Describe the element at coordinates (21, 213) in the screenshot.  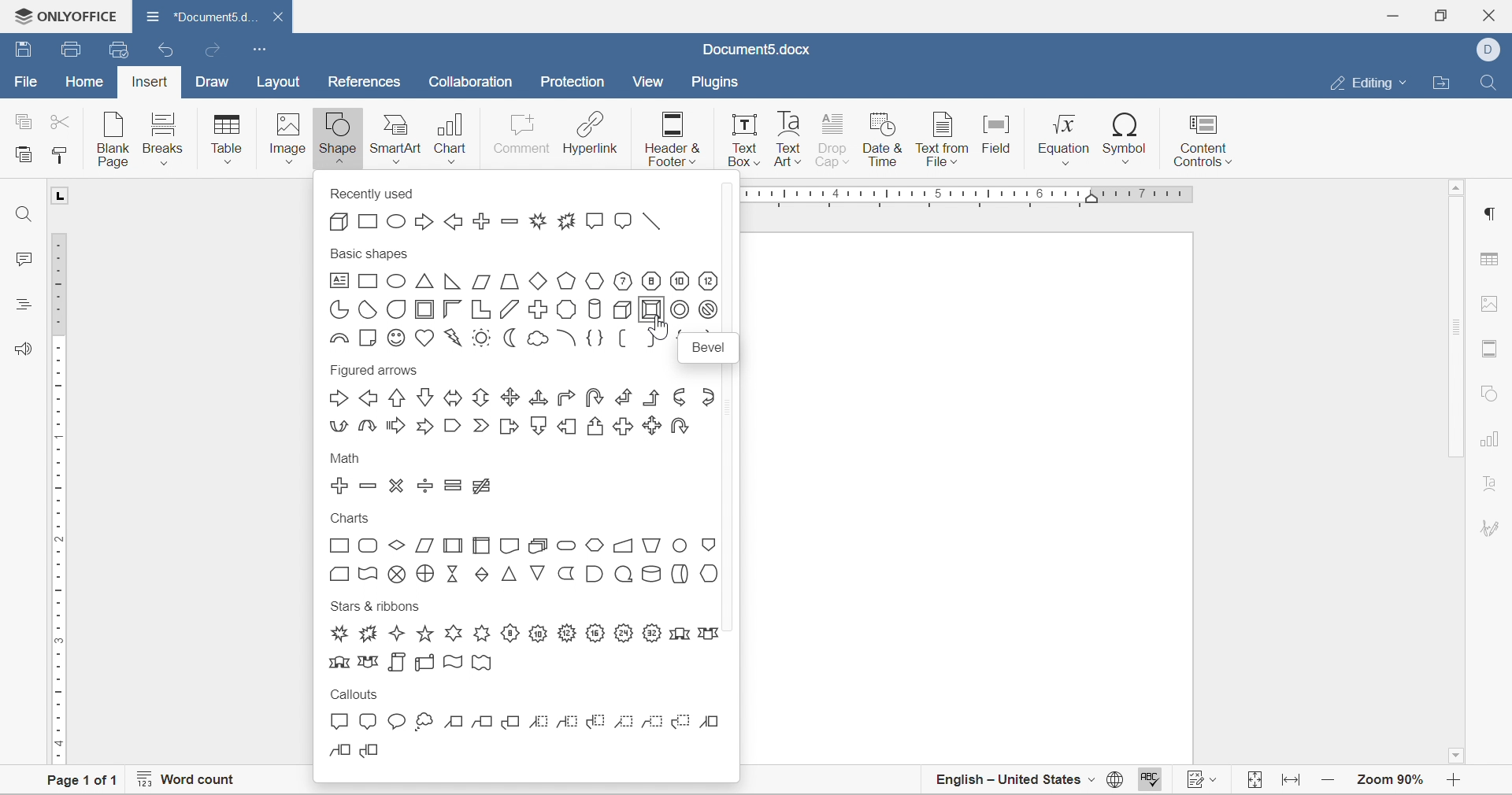
I see `find` at that location.